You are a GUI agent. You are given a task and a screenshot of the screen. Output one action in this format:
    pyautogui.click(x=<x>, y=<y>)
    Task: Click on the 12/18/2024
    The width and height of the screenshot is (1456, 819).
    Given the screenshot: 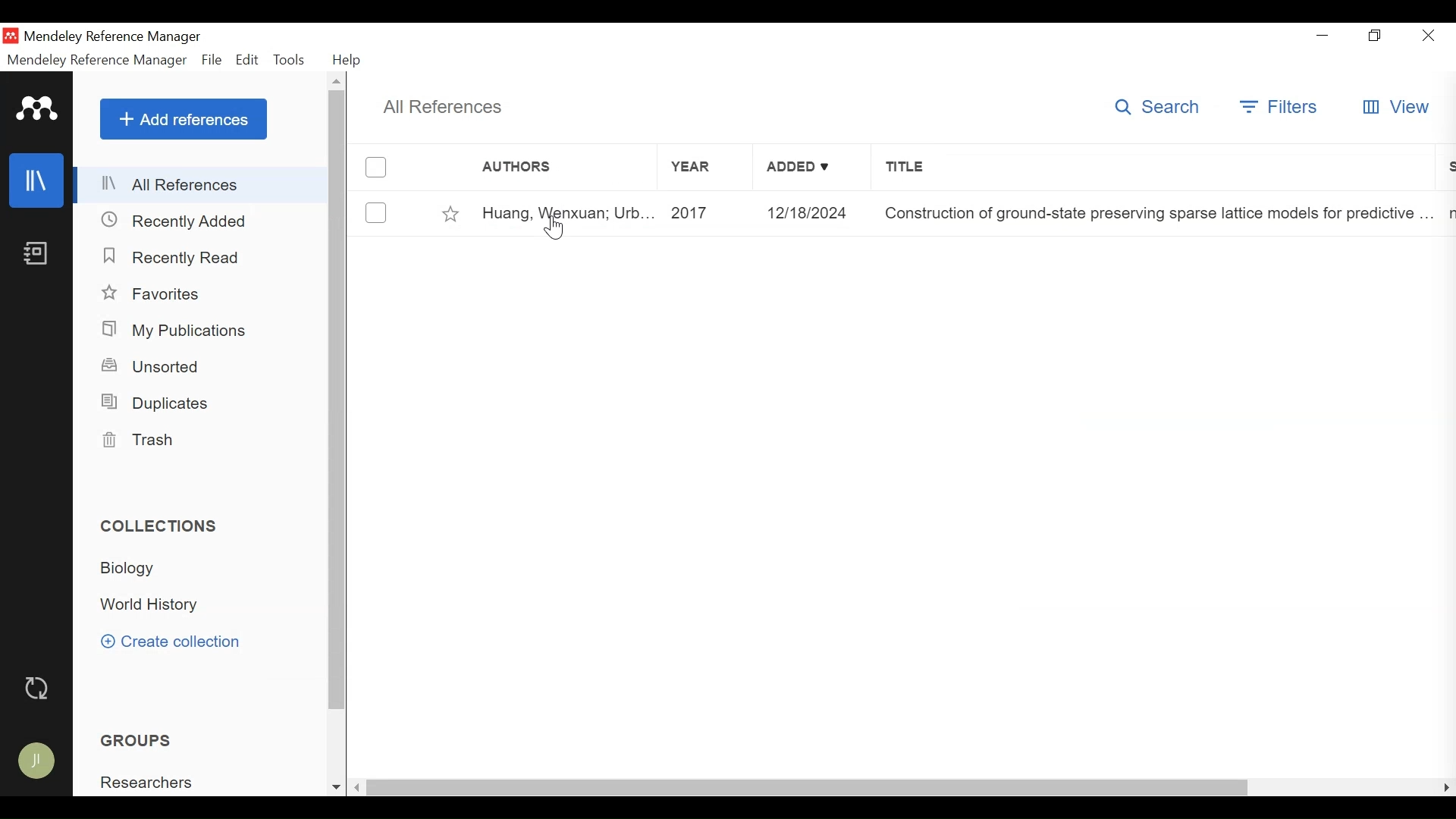 What is the action you would take?
    pyautogui.click(x=814, y=214)
    